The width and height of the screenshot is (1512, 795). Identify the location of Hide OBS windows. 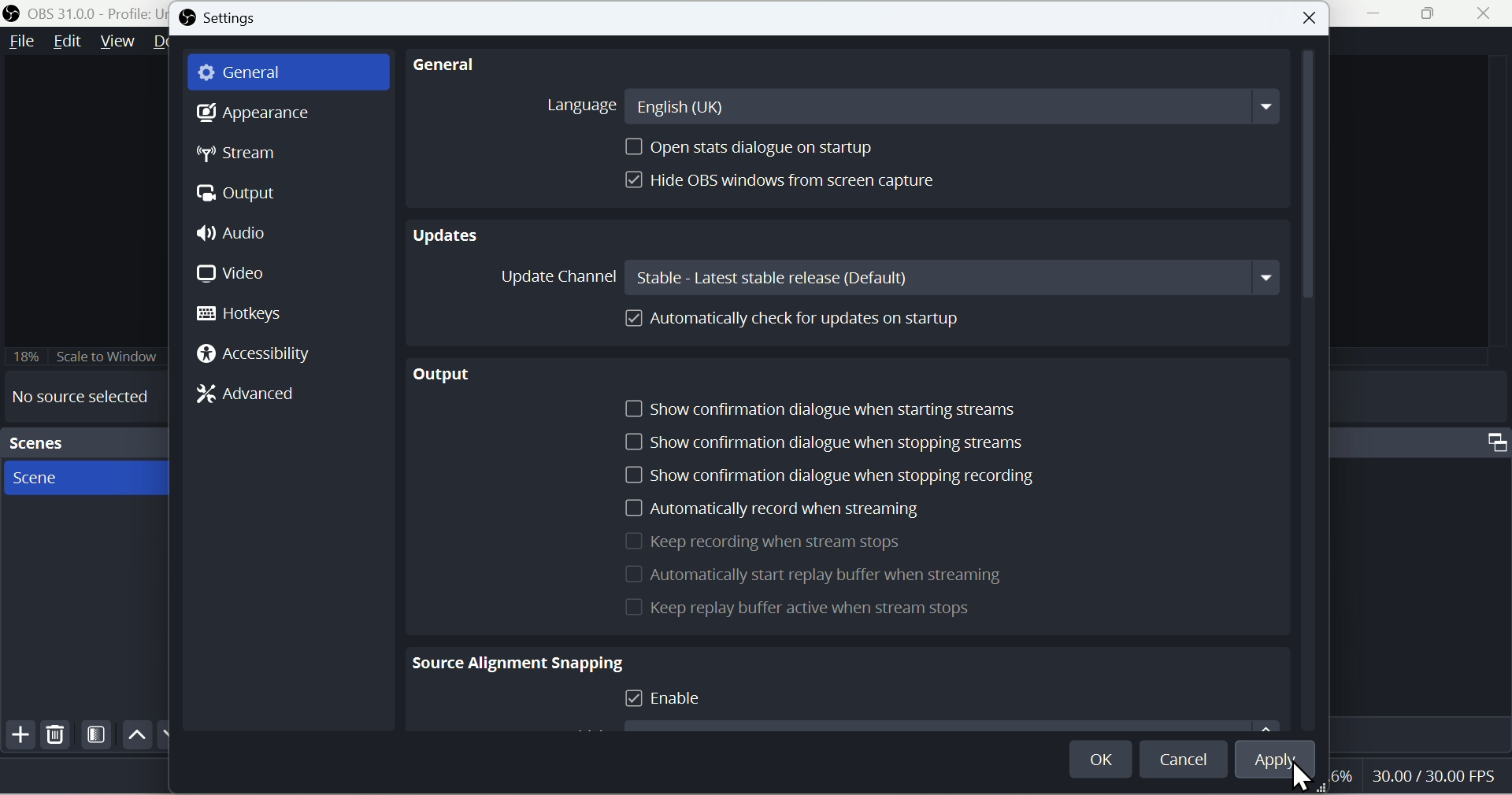
(785, 180).